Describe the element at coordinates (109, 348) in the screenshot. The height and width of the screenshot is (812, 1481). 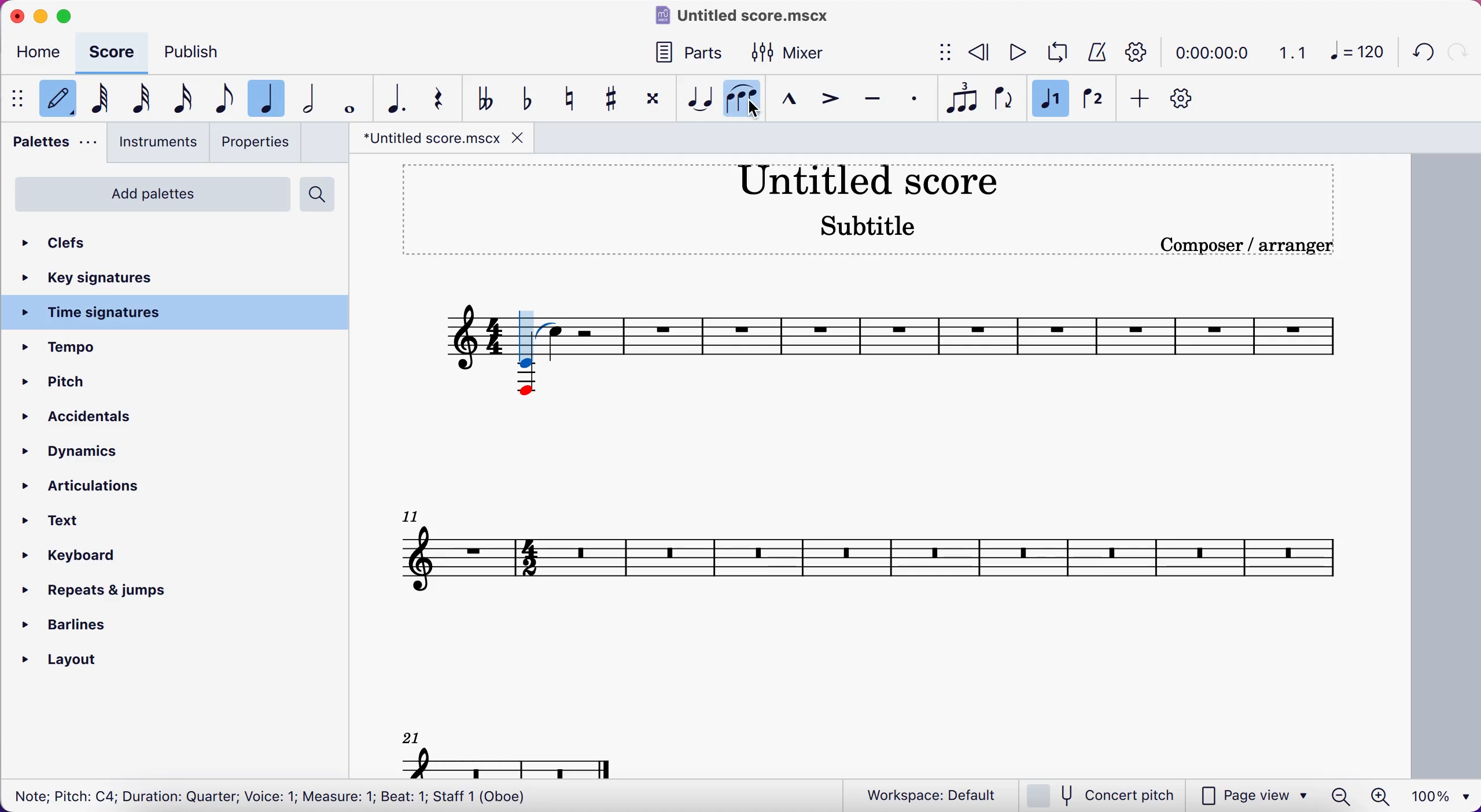
I see `tempo` at that location.